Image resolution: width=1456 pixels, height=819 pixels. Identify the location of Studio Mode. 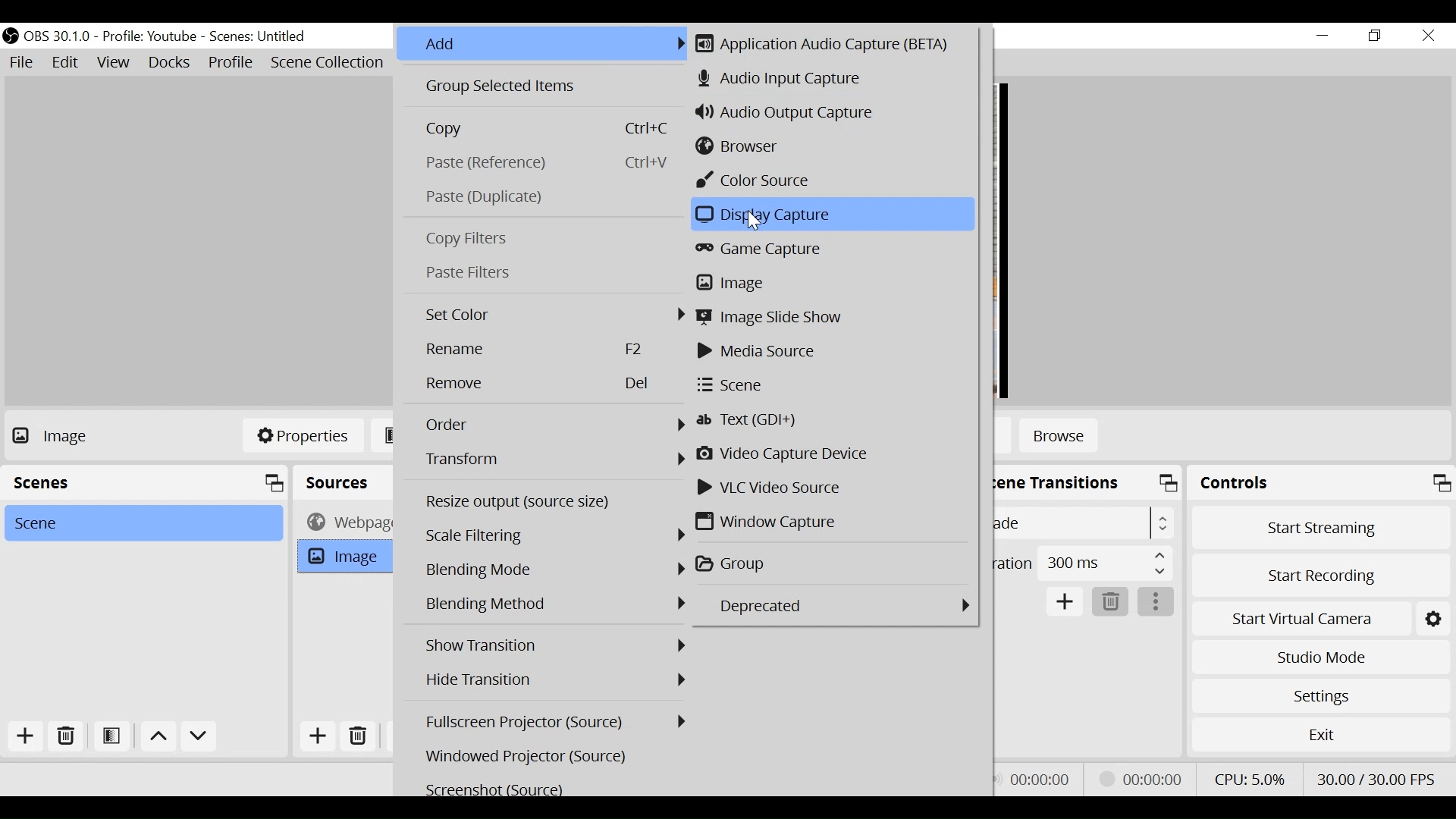
(1320, 658).